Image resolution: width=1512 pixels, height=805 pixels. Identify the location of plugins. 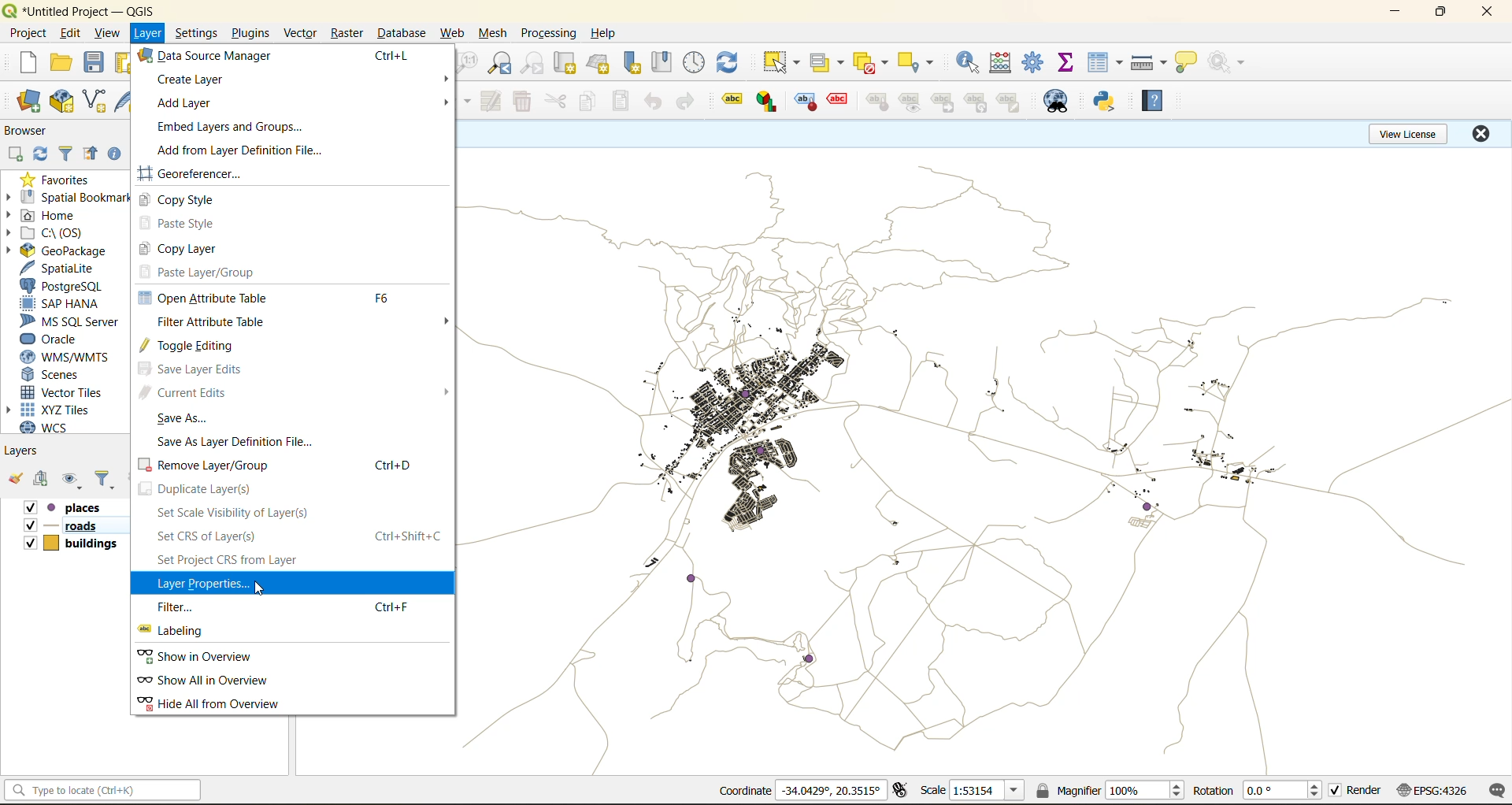
(251, 32).